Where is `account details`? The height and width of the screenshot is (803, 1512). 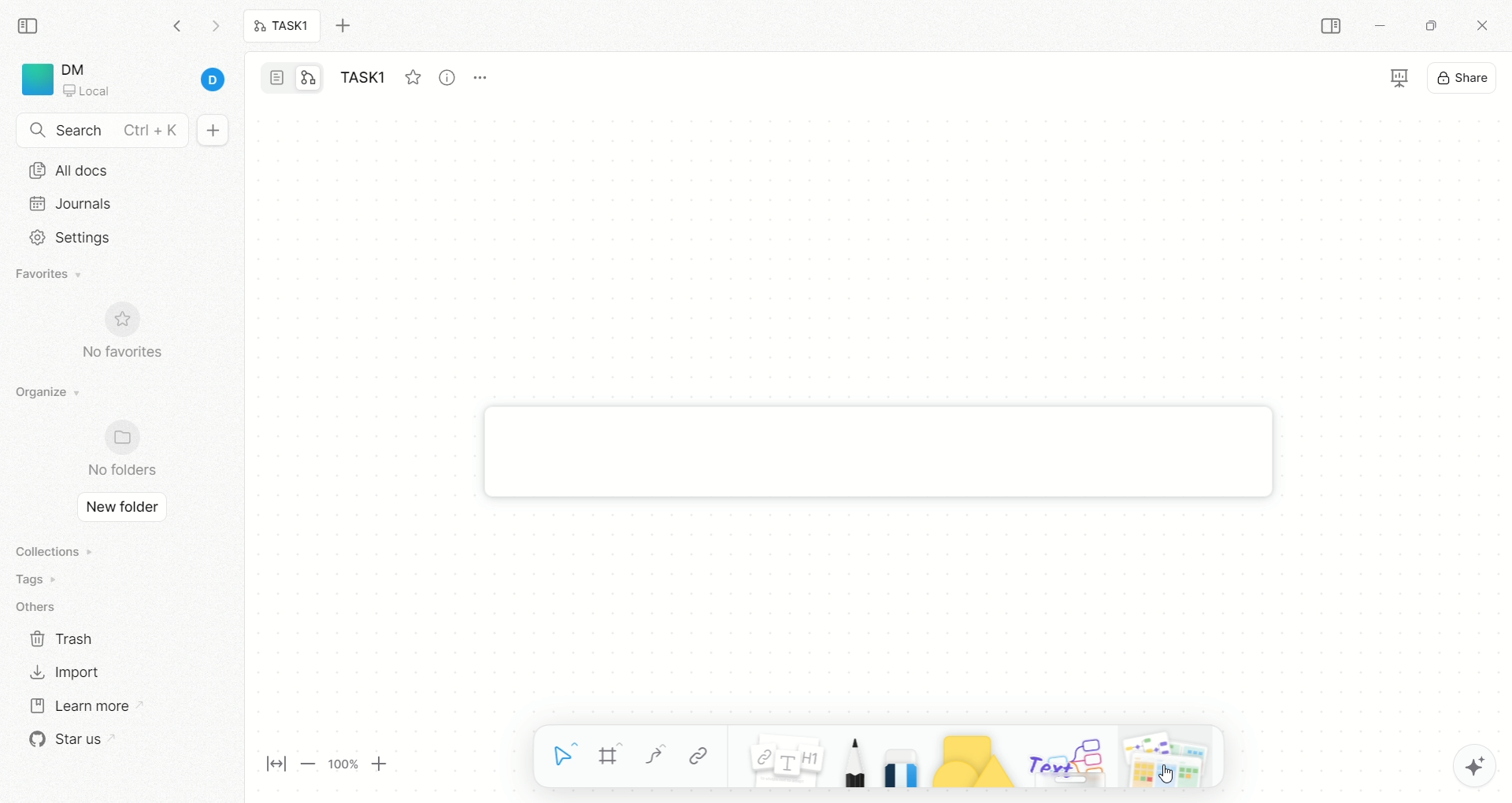
account details is located at coordinates (147, 81).